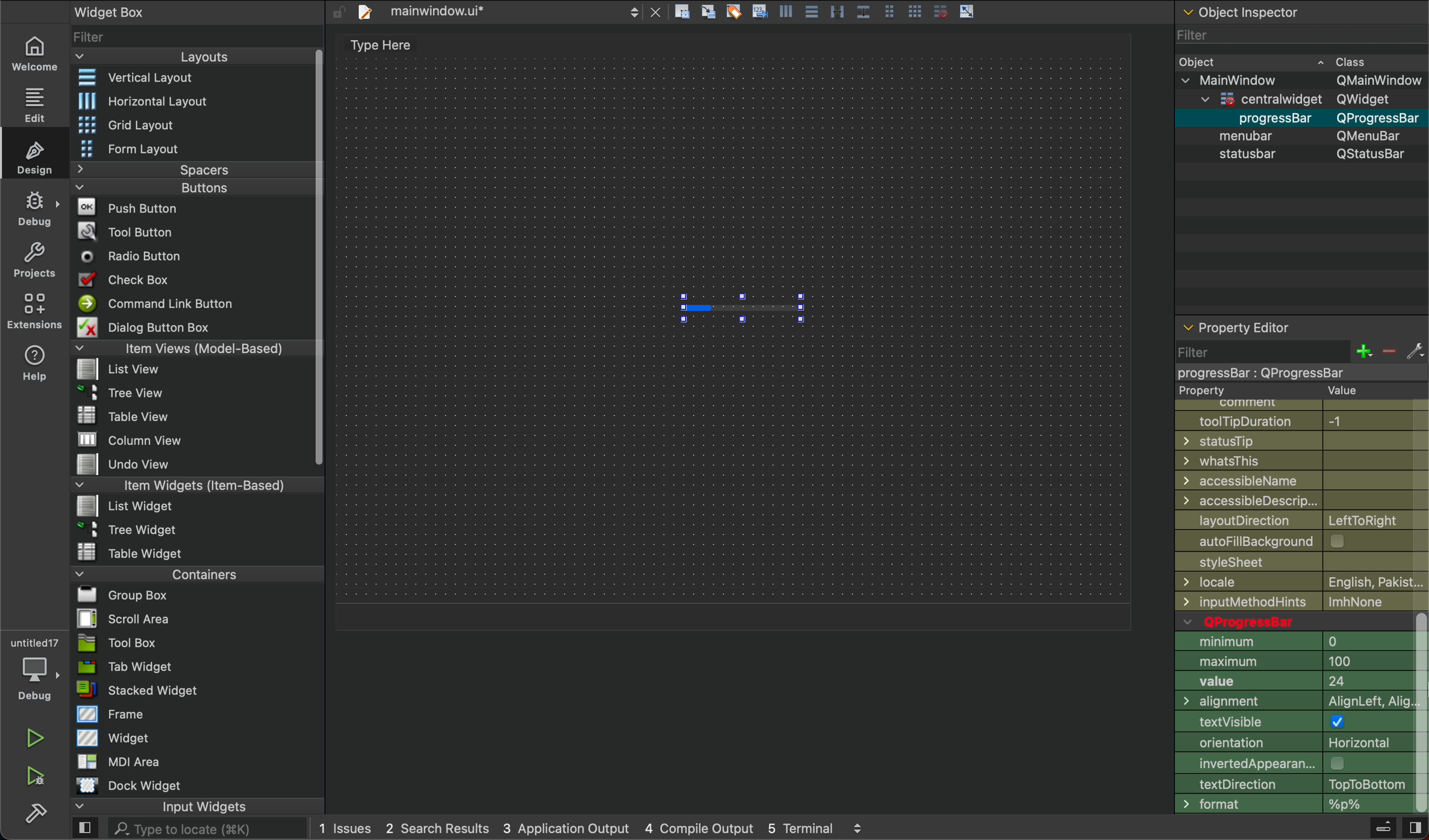 Image resolution: width=1429 pixels, height=840 pixels. What do you see at coordinates (1293, 745) in the screenshot?
I see `Orientation ` at bounding box center [1293, 745].